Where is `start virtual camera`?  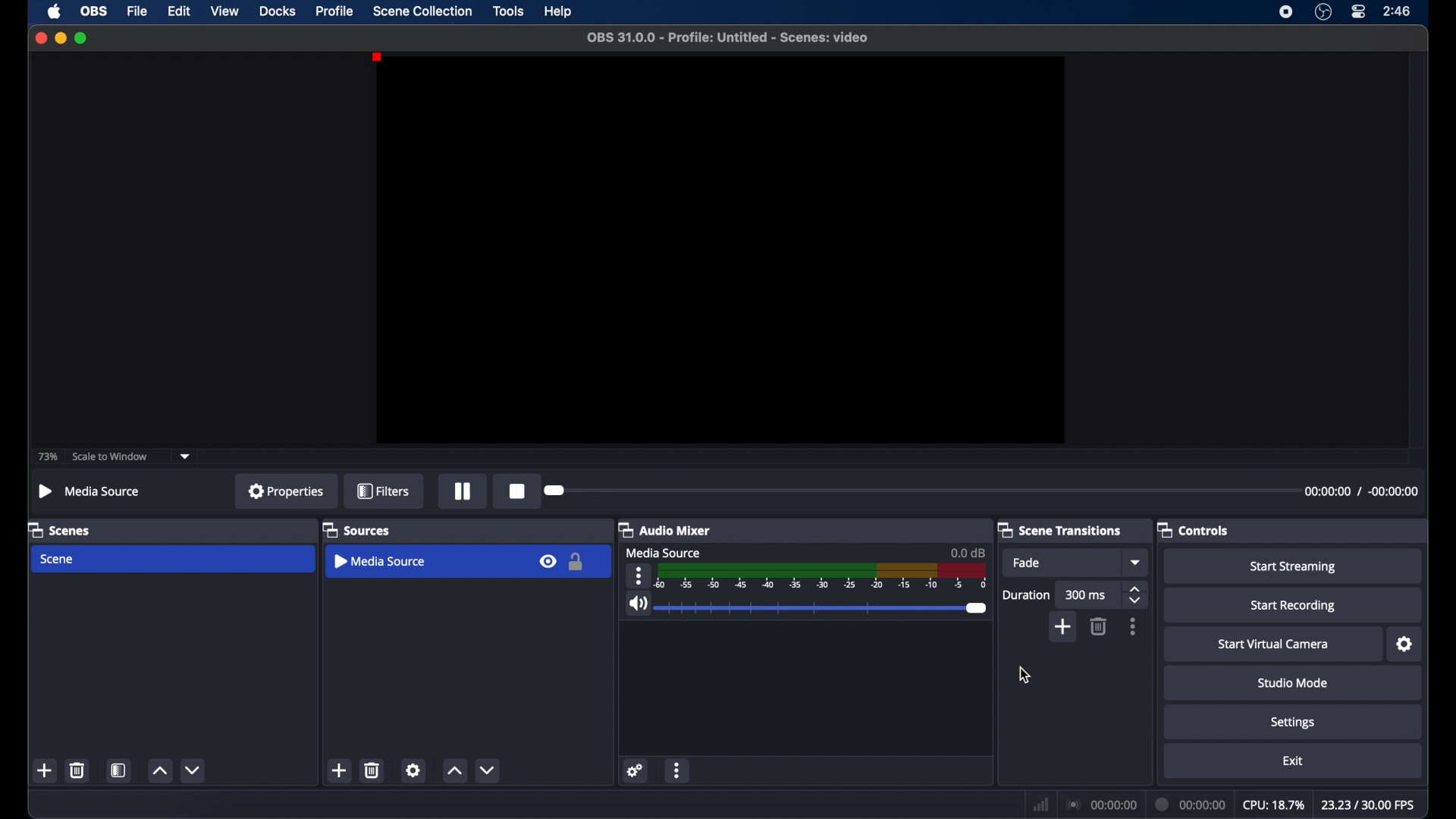
start virtual camera is located at coordinates (1274, 645).